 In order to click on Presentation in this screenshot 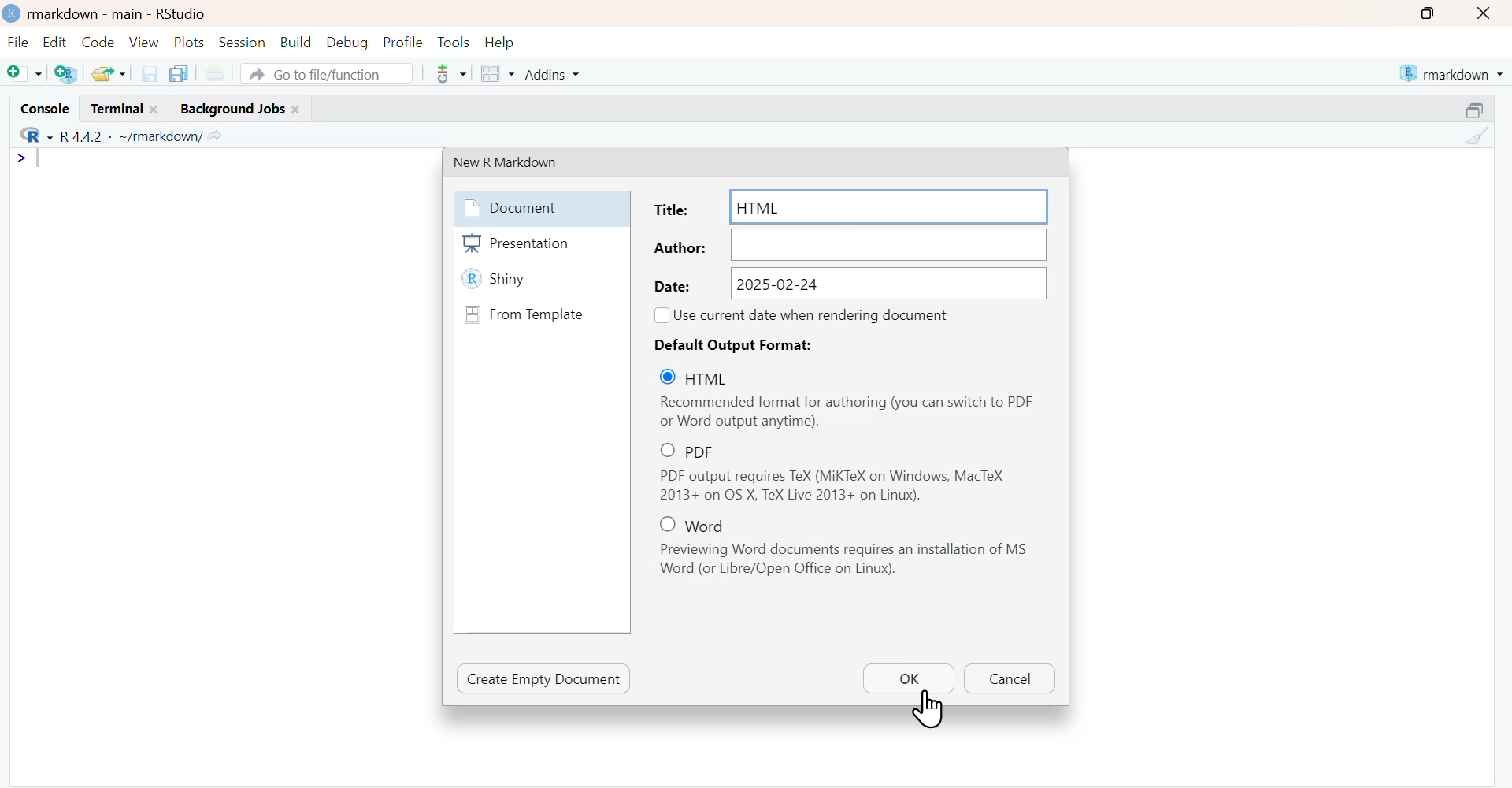, I will do `click(541, 243)`.